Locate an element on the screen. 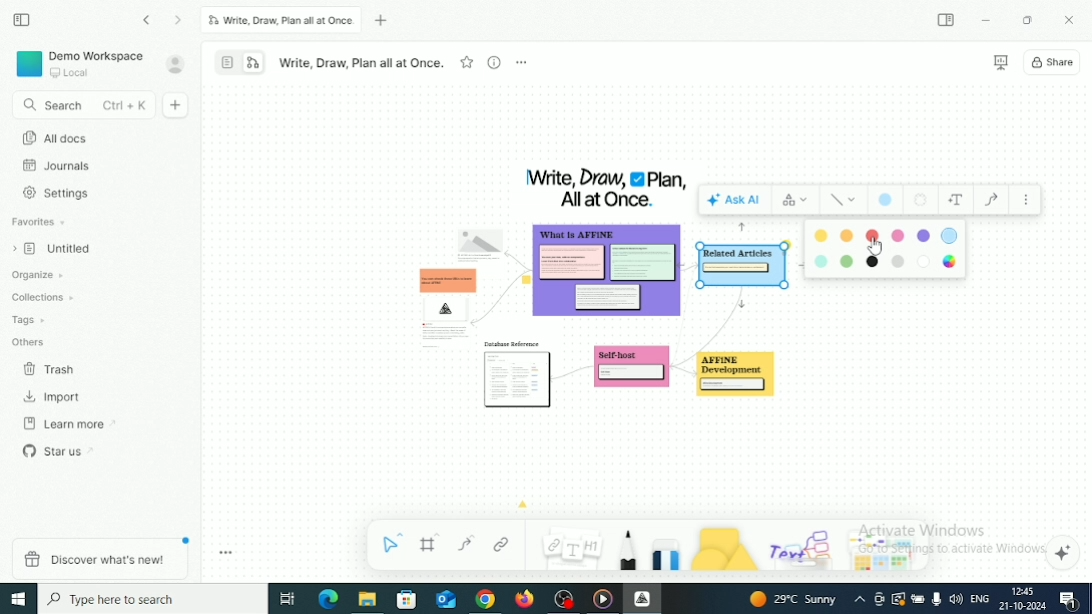 Image resolution: width=1092 pixels, height=614 pixels. Others is located at coordinates (803, 546).